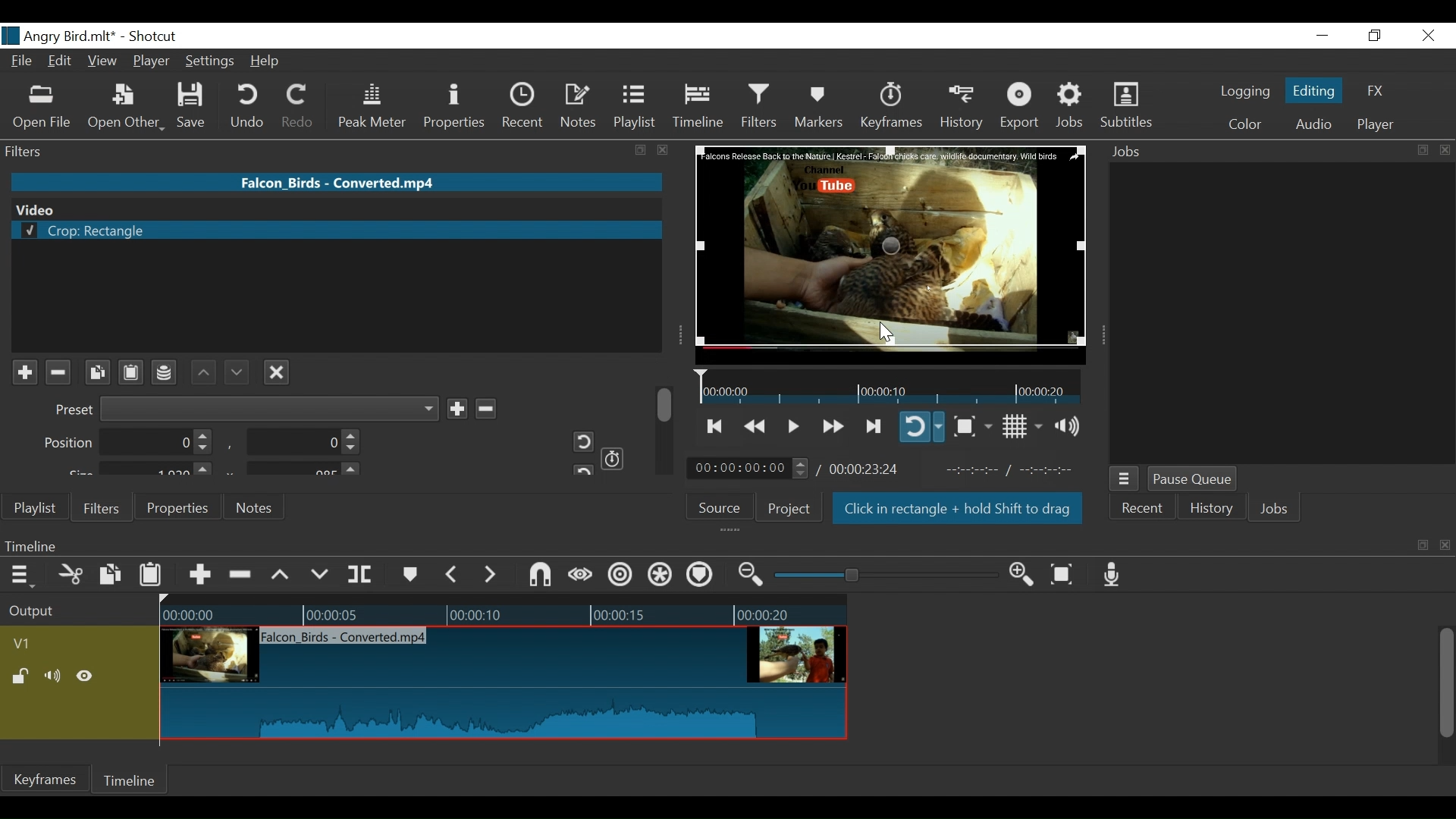 The width and height of the screenshot is (1456, 819). Describe the element at coordinates (921, 426) in the screenshot. I see `Toggle player looping` at that location.